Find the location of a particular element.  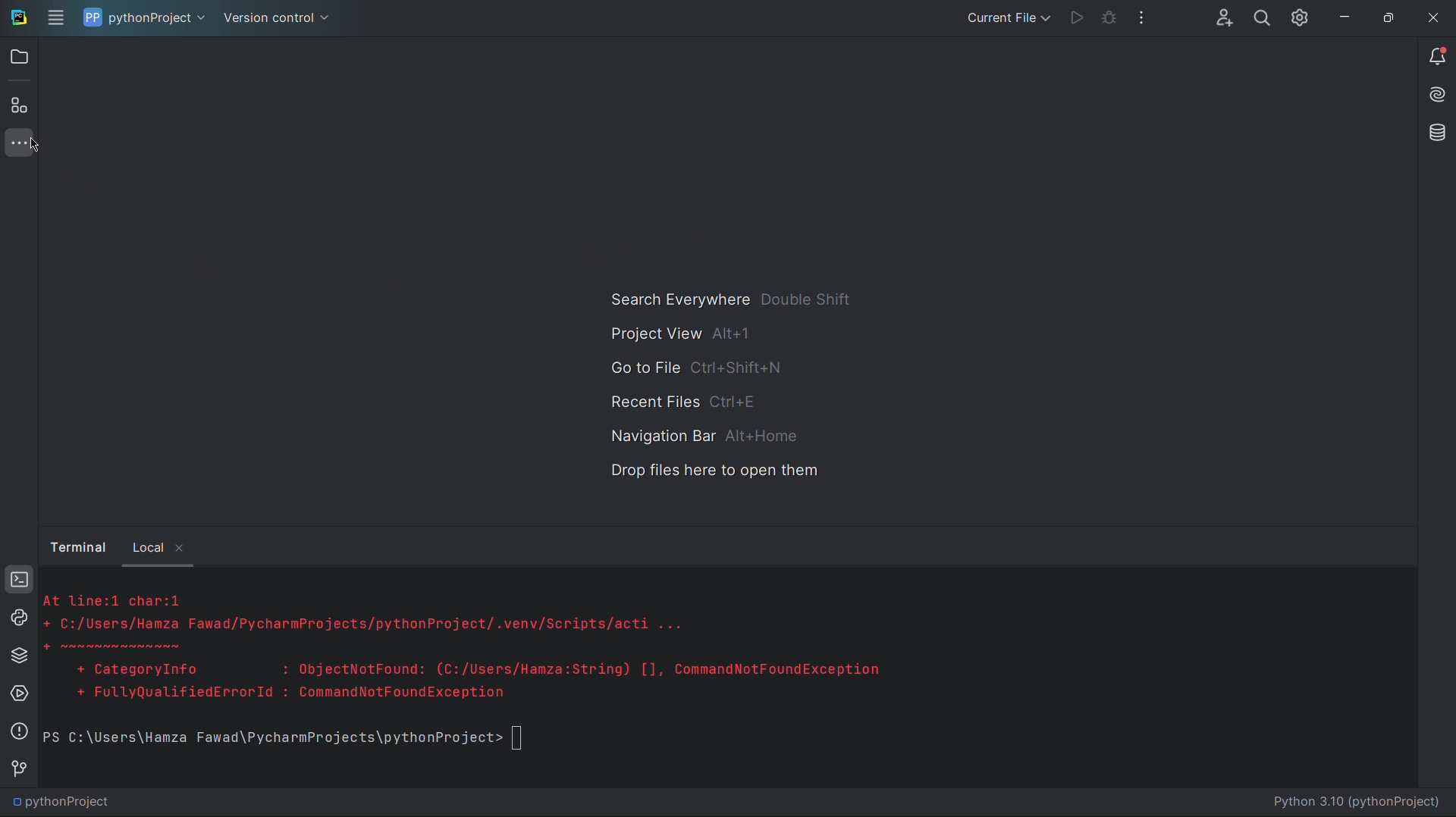

Run  is located at coordinates (1071, 18).